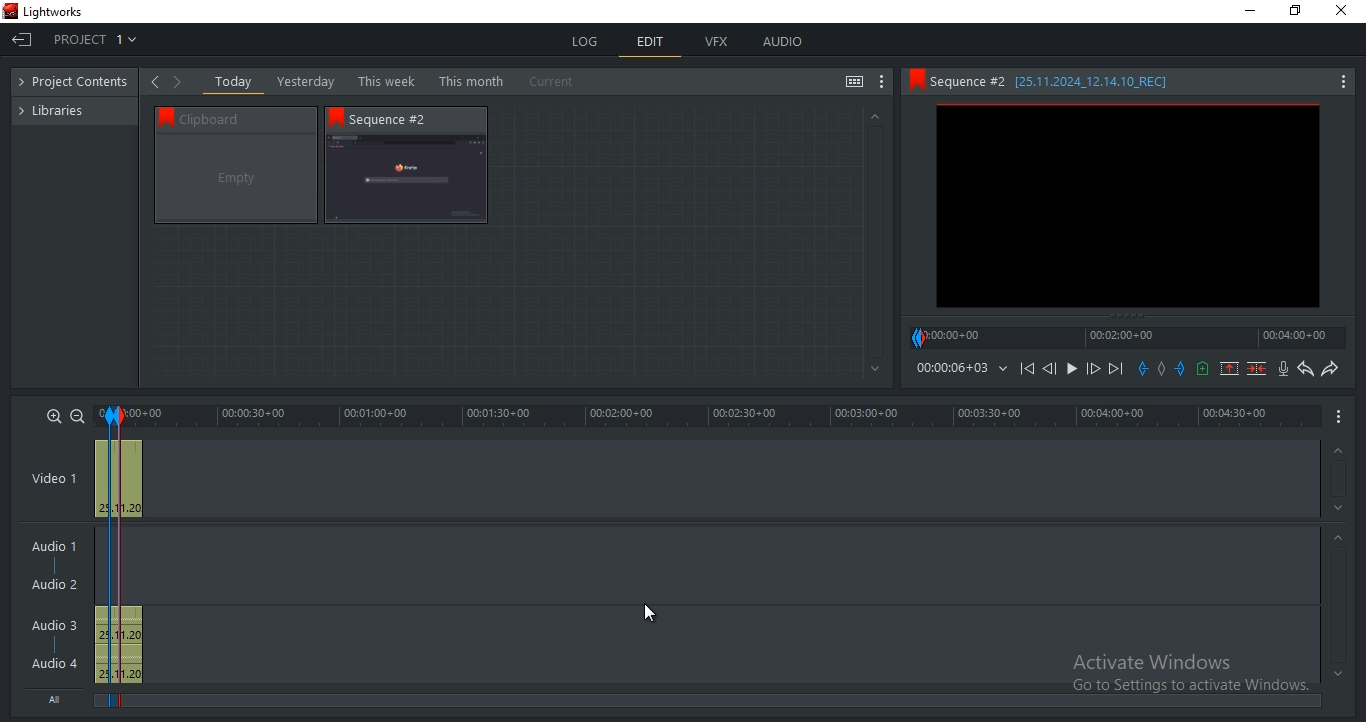 The height and width of the screenshot is (722, 1366). What do you see at coordinates (90, 39) in the screenshot?
I see `project 1 drop down` at bounding box center [90, 39].